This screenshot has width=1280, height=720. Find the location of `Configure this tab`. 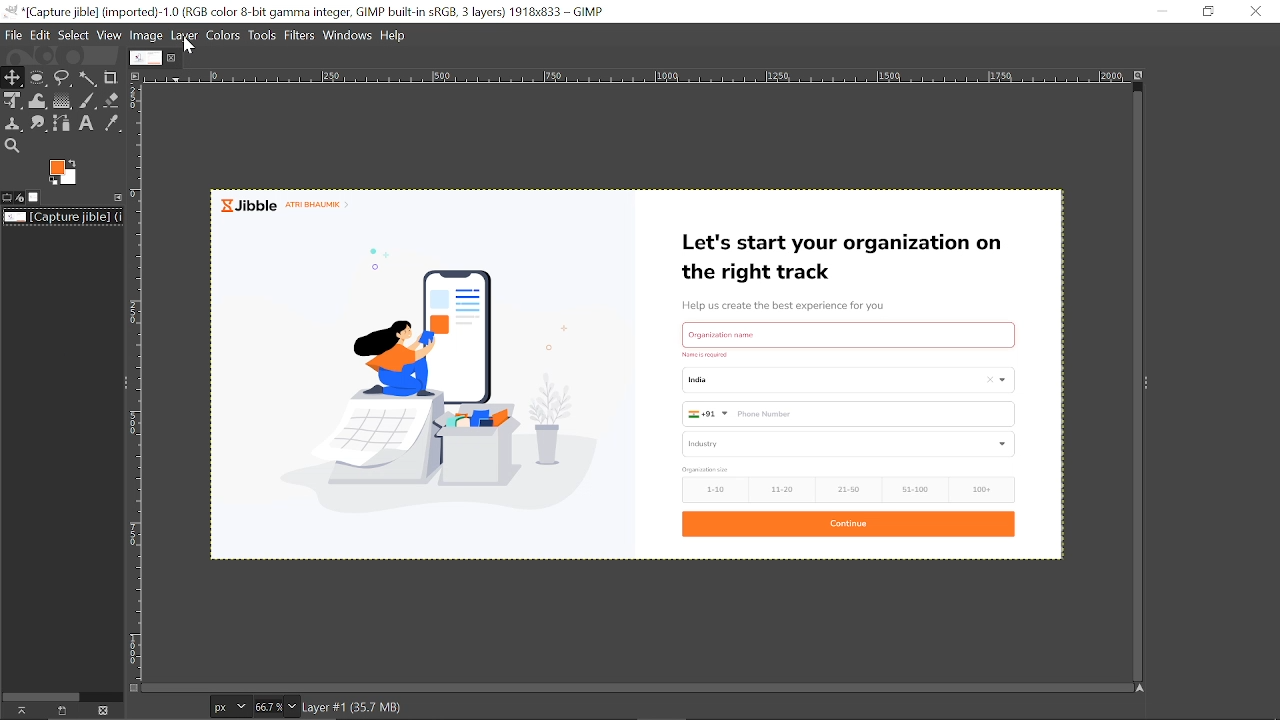

Configure this tab is located at coordinates (115, 197).